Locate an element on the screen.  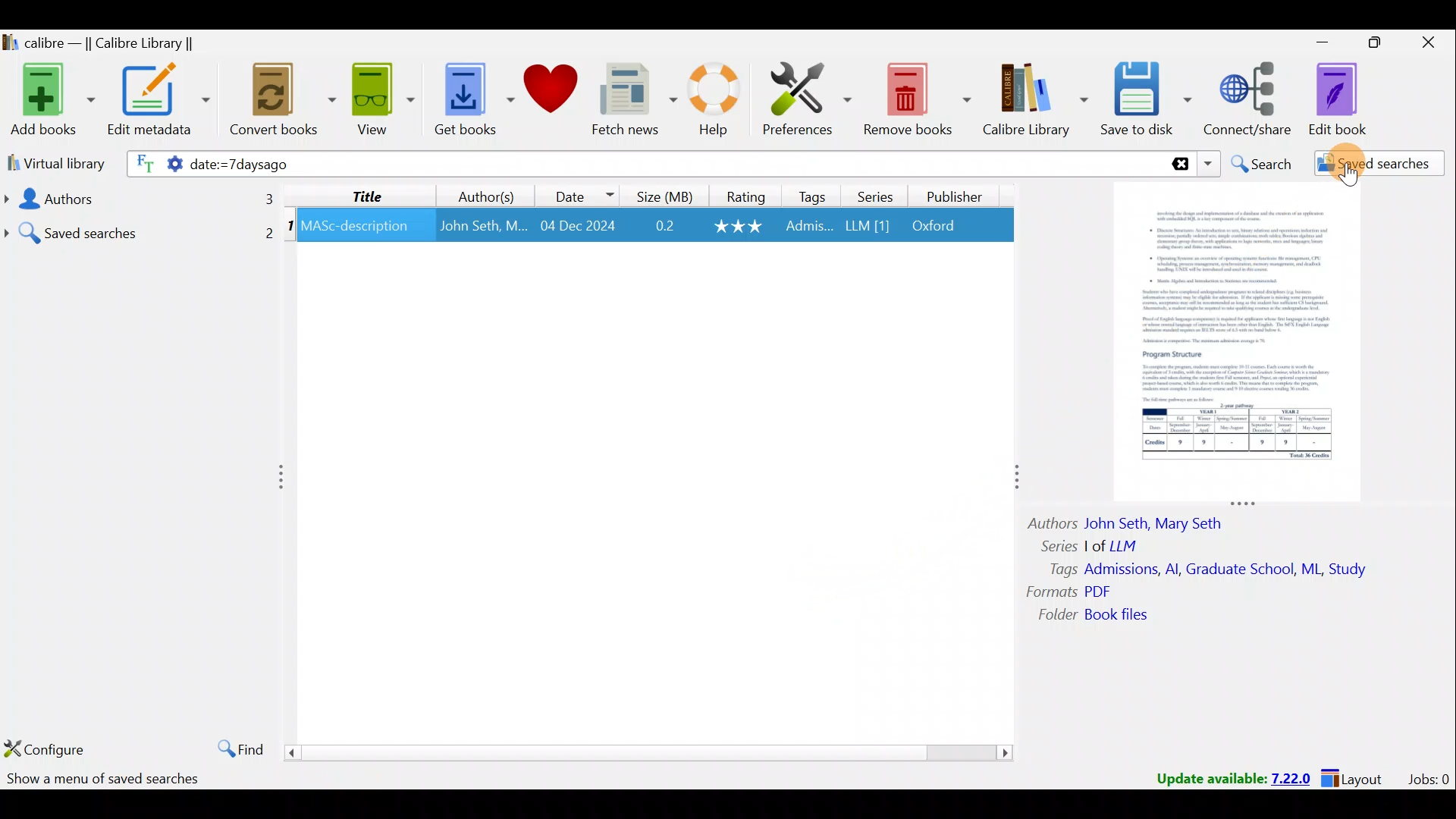
Formats PDF is located at coordinates (1069, 591).